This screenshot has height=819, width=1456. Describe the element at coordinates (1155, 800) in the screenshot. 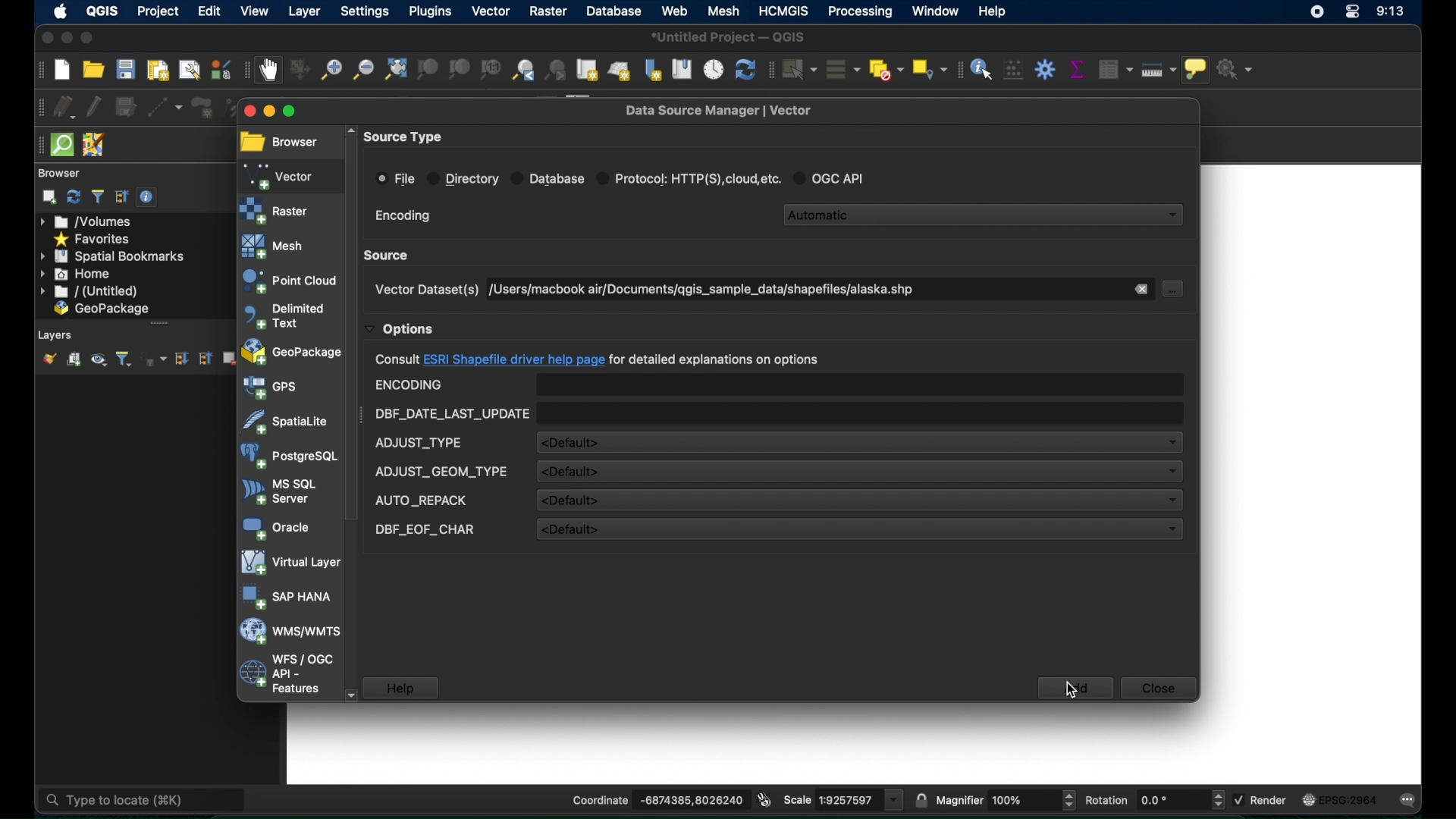

I see `rotation` at that location.